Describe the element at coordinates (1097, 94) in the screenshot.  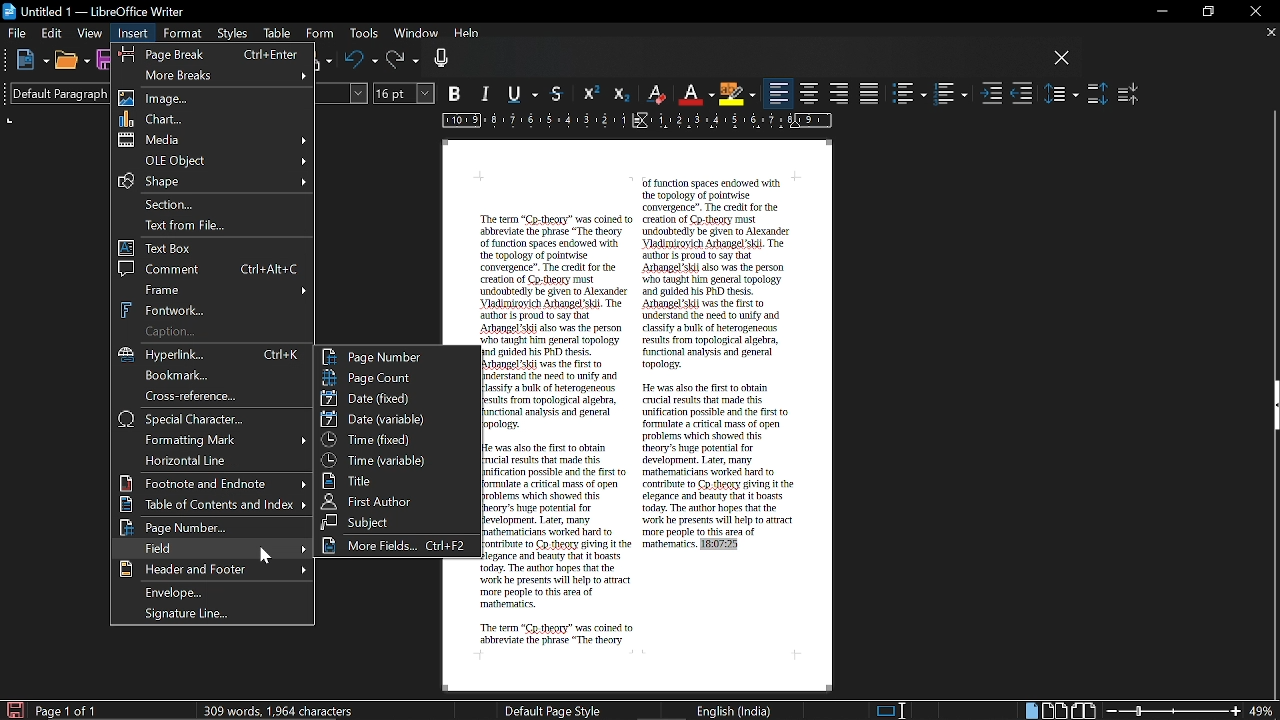
I see `Increase paragraph spacing` at that location.